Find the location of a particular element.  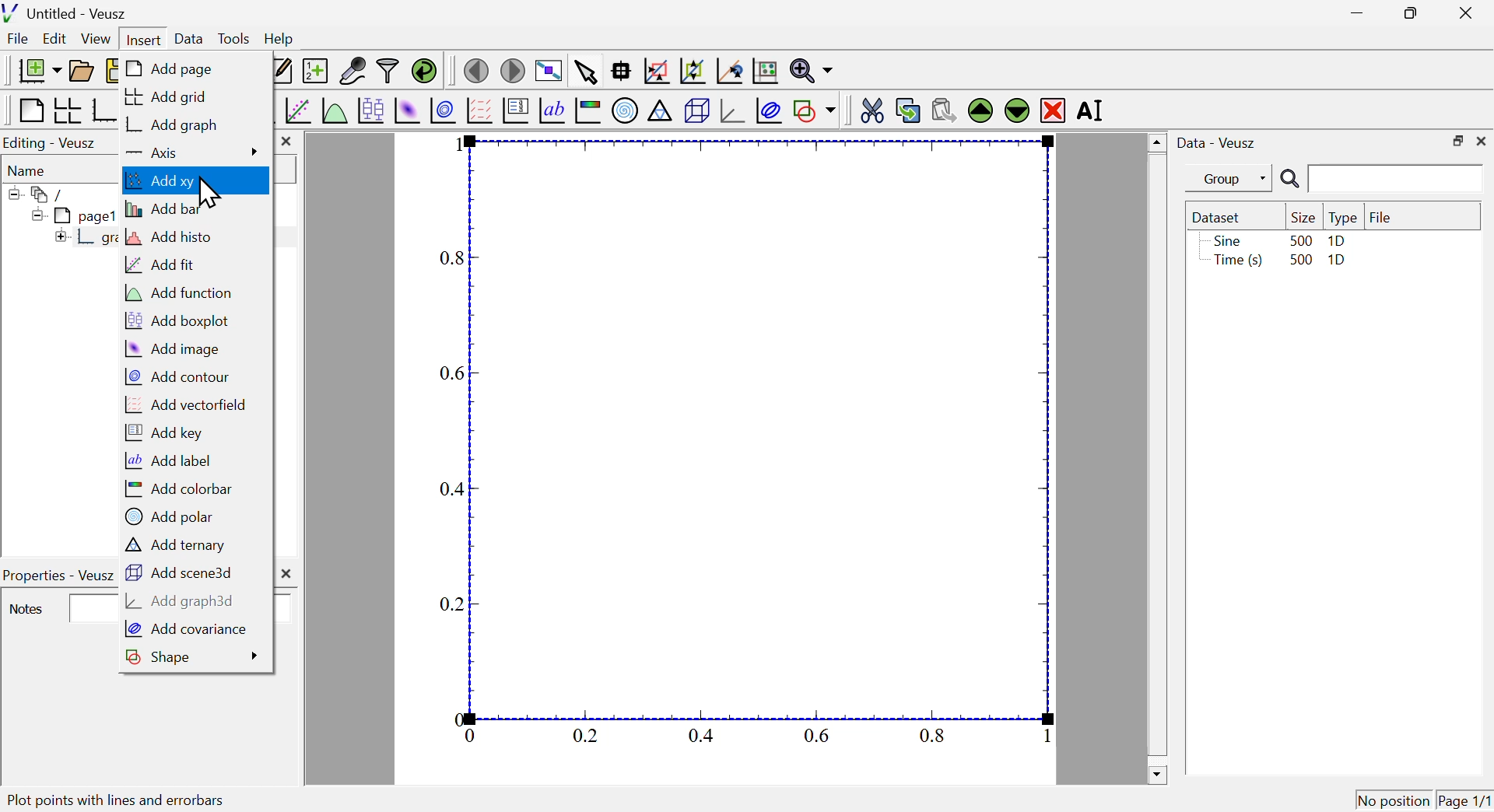

0.8 is located at coordinates (454, 259).